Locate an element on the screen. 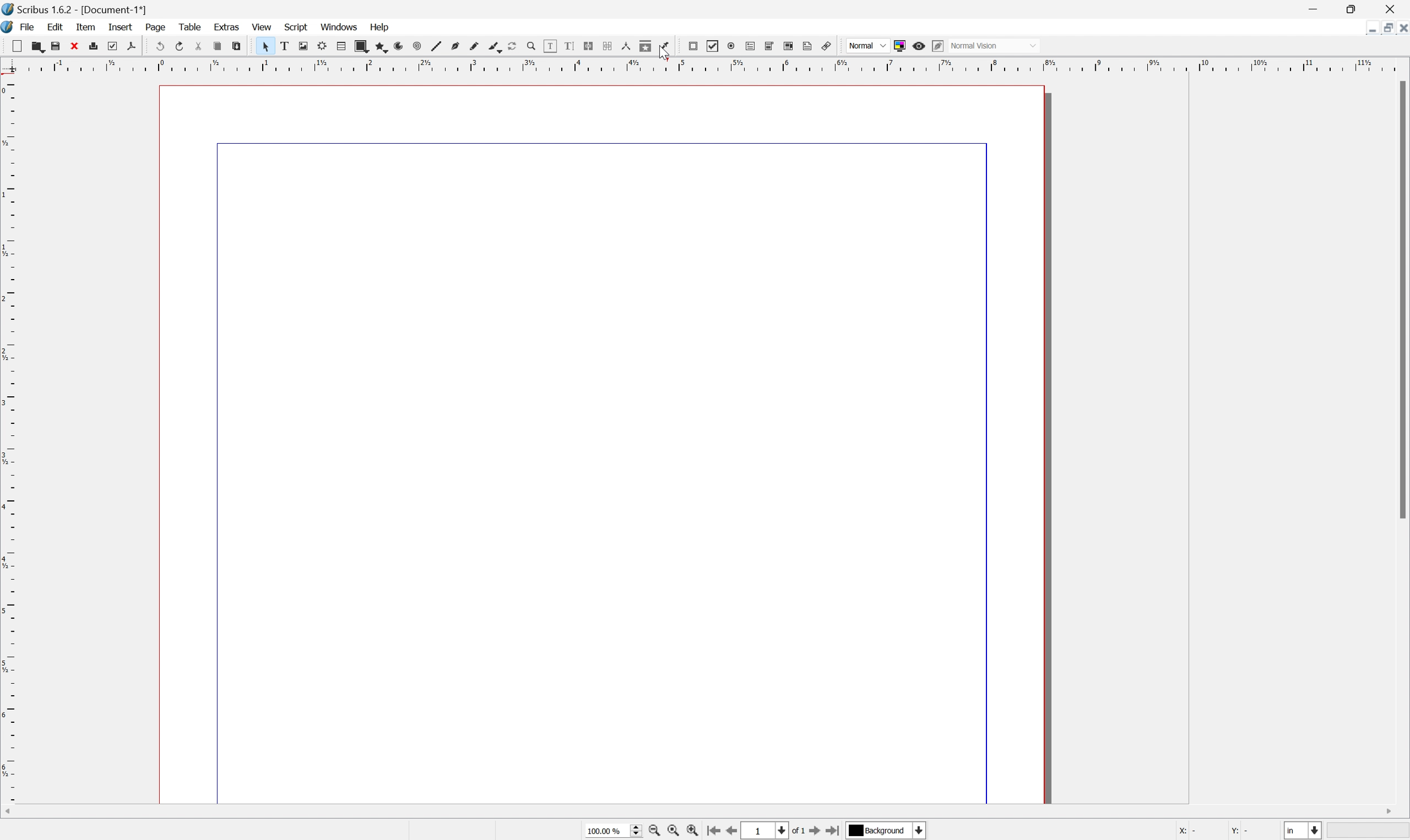 This screenshot has height=840, width=1410. table is located at coordinates (190, 27).